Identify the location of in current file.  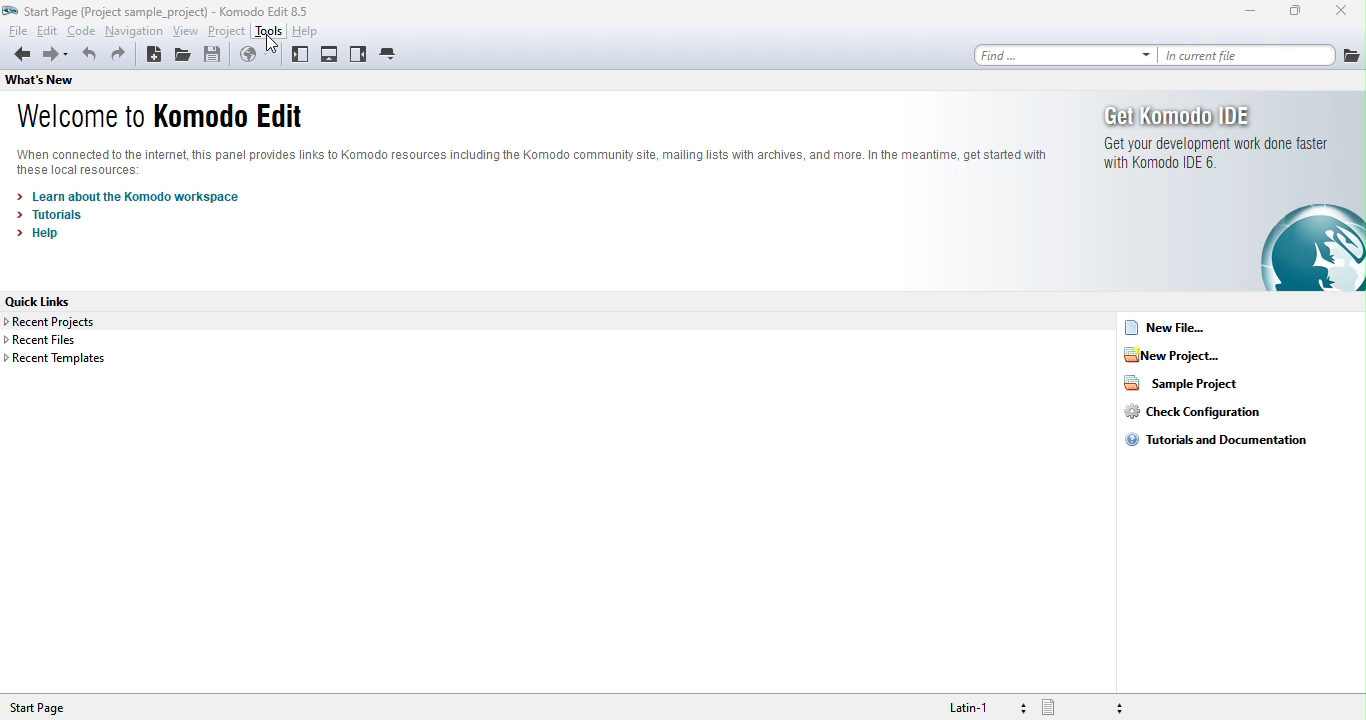
(1247, 56).